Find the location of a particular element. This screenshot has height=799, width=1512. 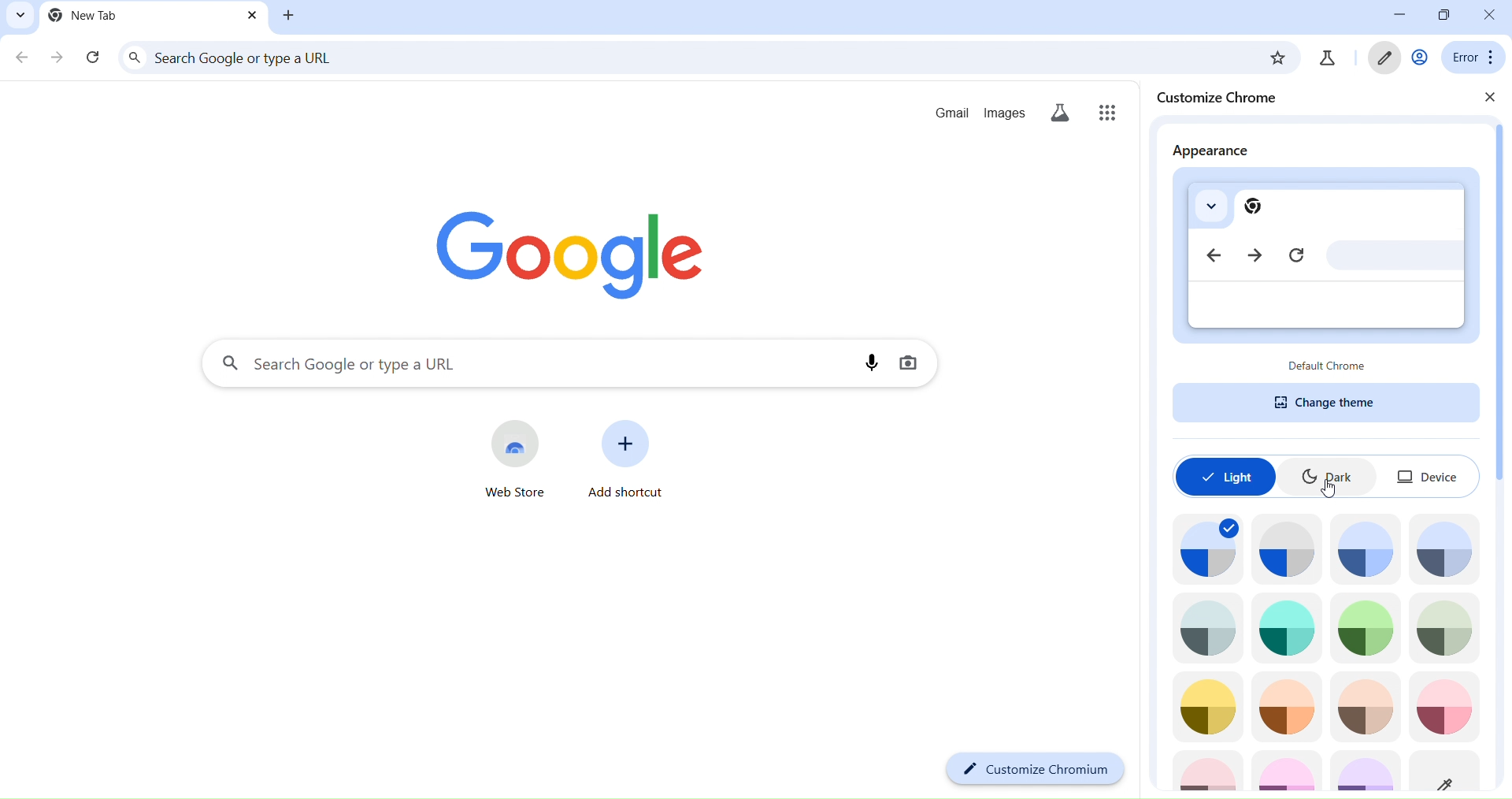

web store is located at coordinates (520, 459).